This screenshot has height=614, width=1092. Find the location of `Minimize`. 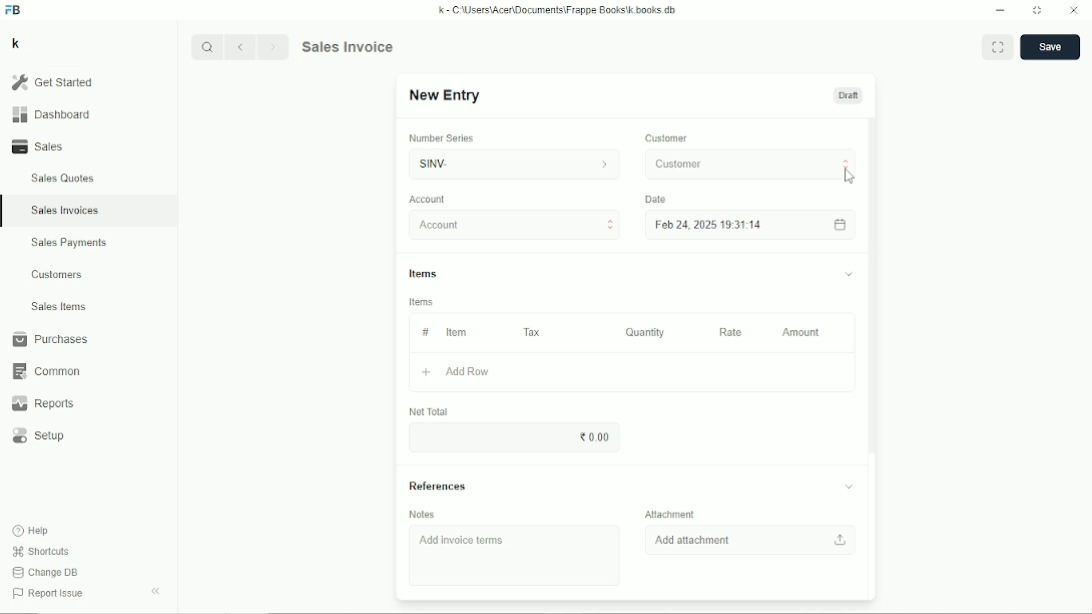

Minimize is located at coordinates (1000, 11).